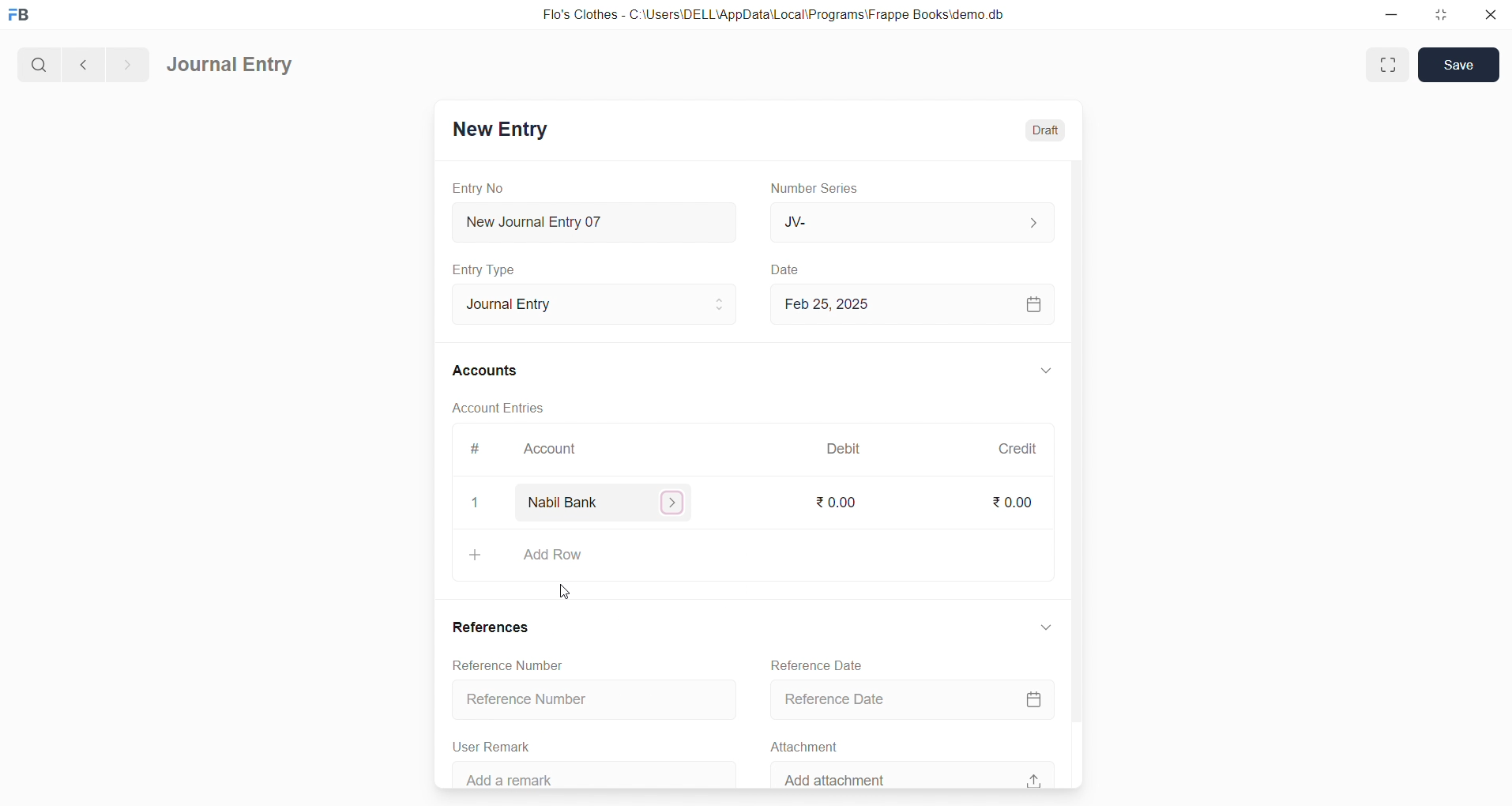 Image resolution: width=1512 pixels, height=806 pixels. Describe the element at coordinates (754, 557) in the screenshot. I see `Add Row` at that location.